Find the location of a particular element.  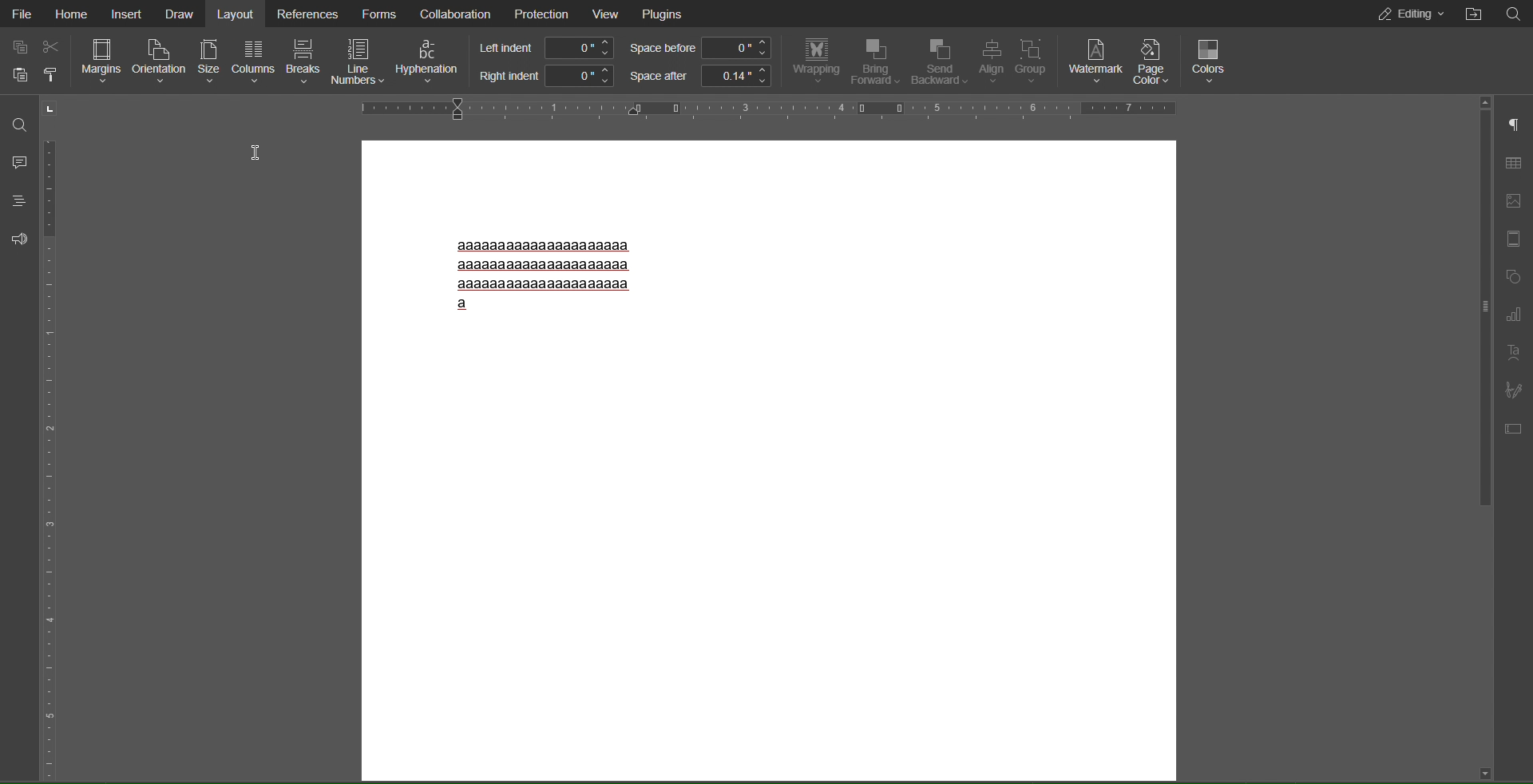

Wrapping is located at coordinates (814, 62).